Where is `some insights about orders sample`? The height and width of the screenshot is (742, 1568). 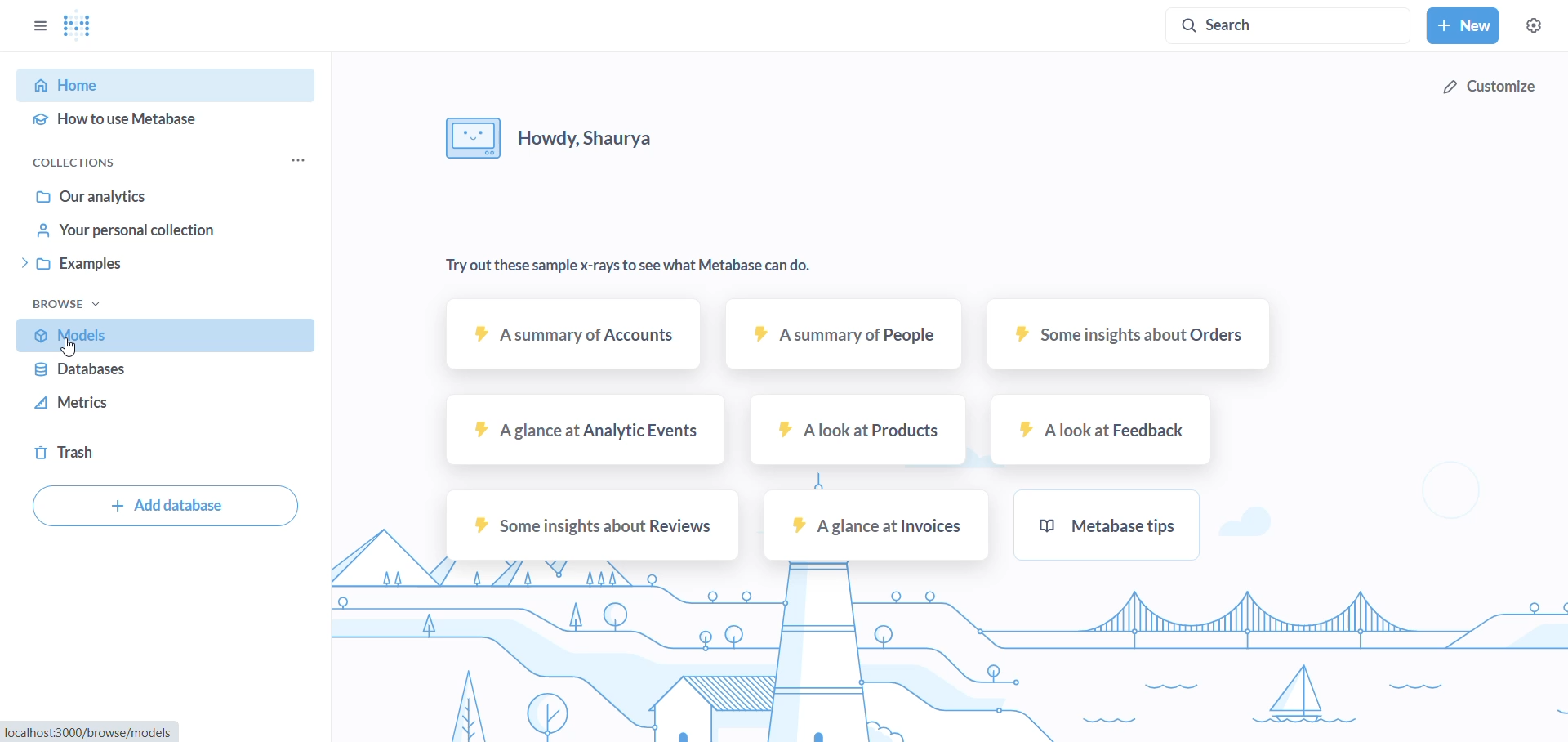
some insights about orders sample is located at coordinates (1128, 337).